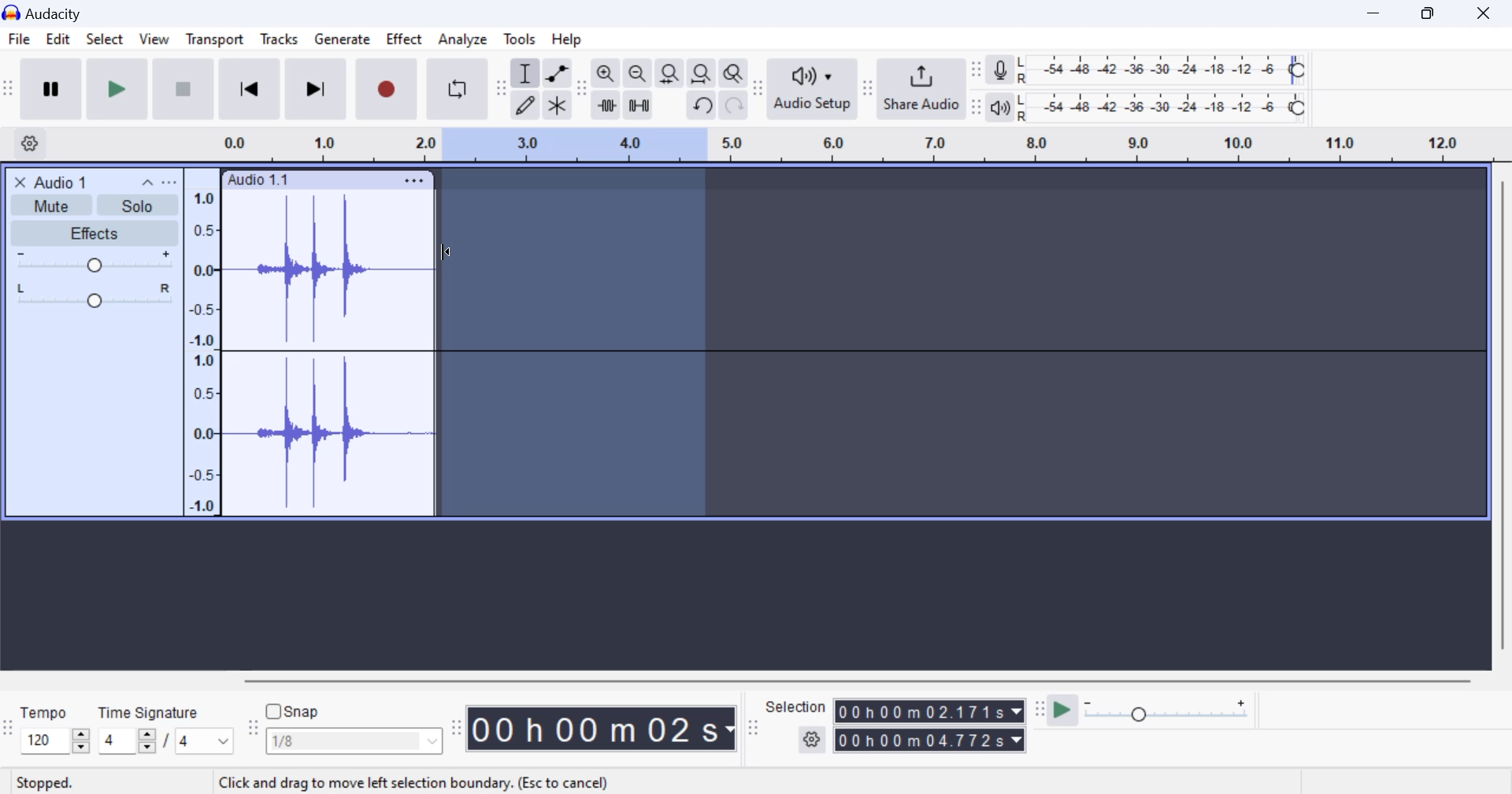 The width and height of the screenshot is (1512, 794). Describe the element at coordinates (118, 88) in the screenshot. I see `Play` at that location.